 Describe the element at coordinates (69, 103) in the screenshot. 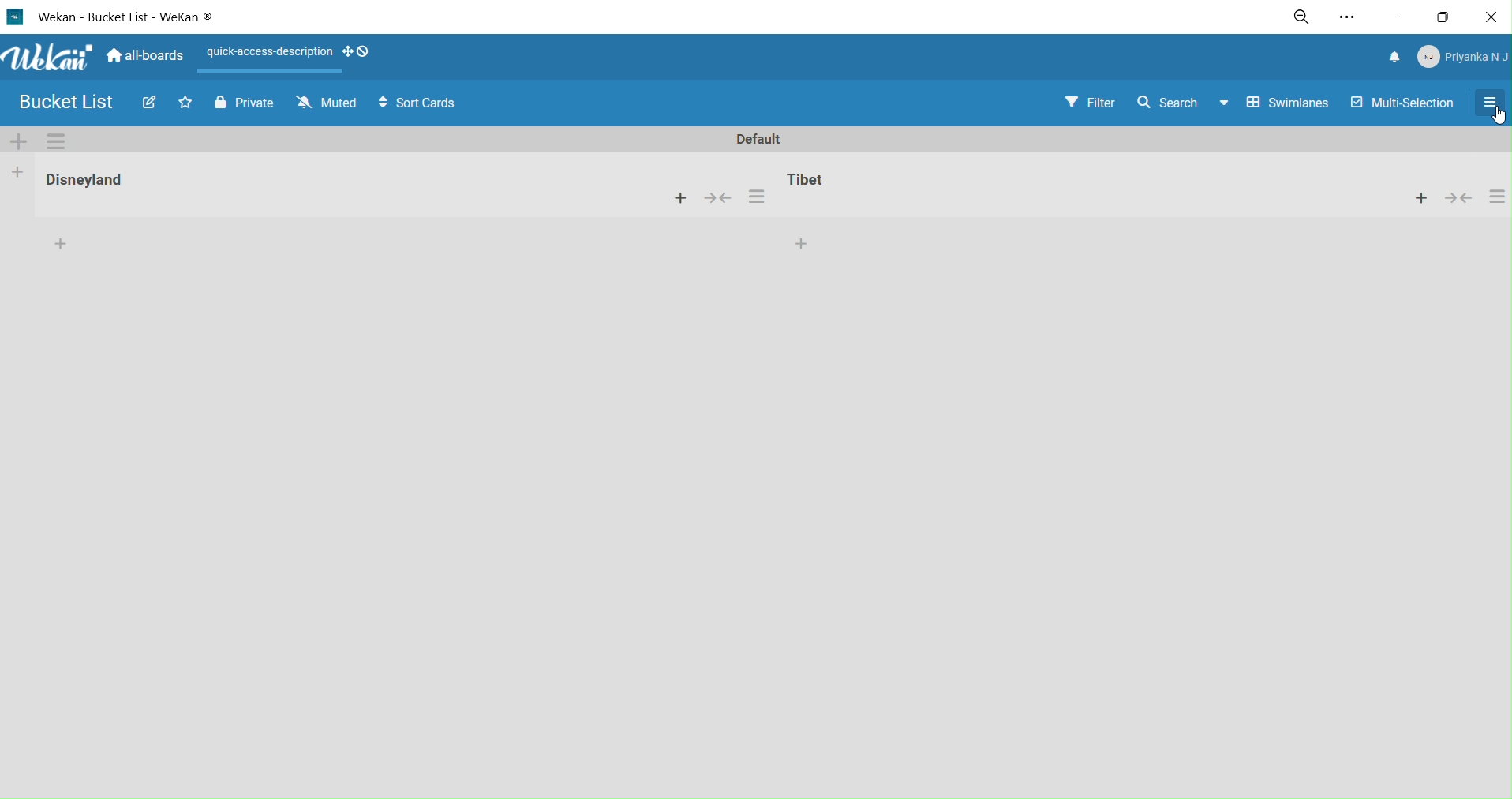

I see `board name` at that location.